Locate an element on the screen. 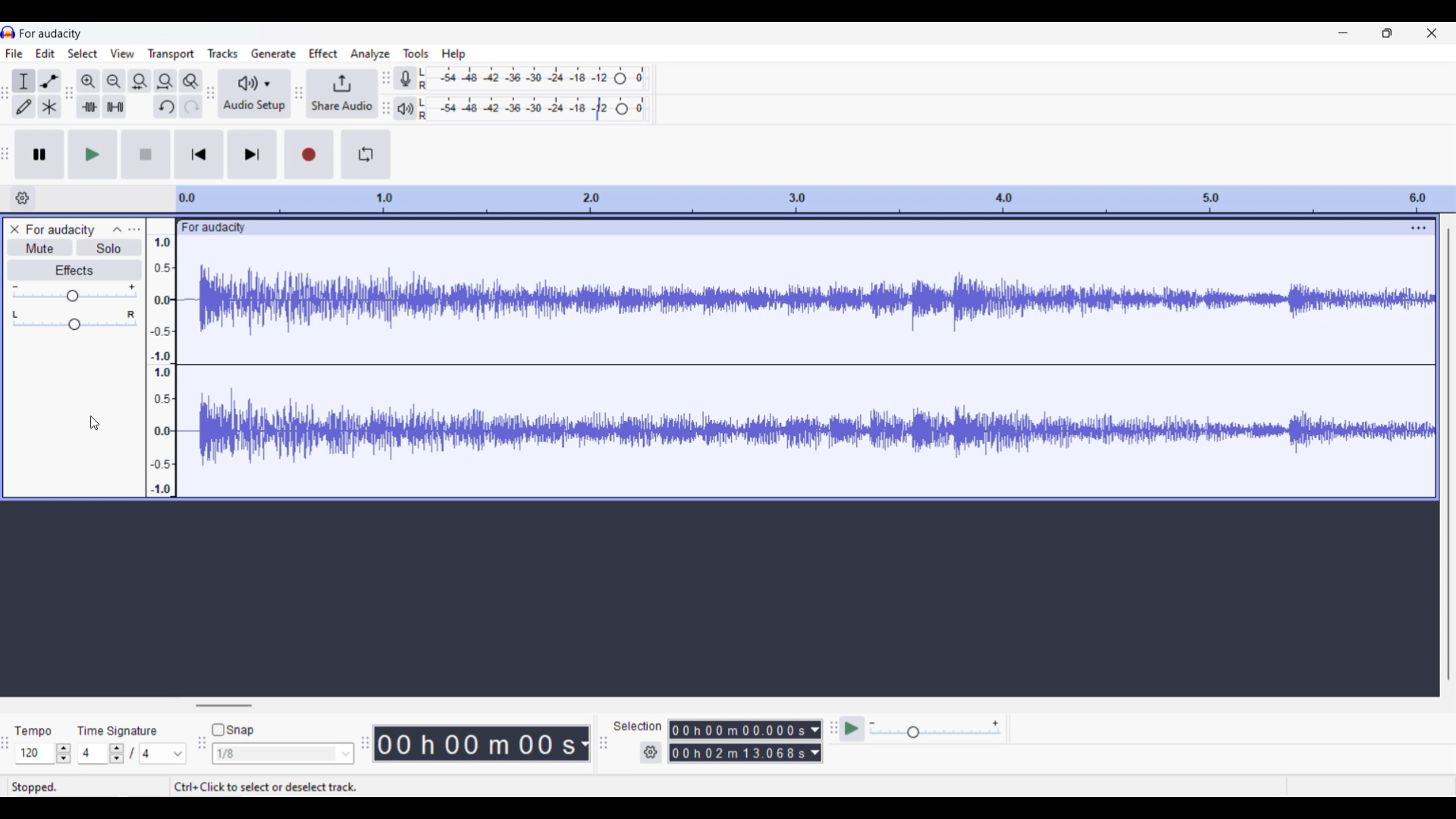  Playback meter is located at coordinates (405, 109).